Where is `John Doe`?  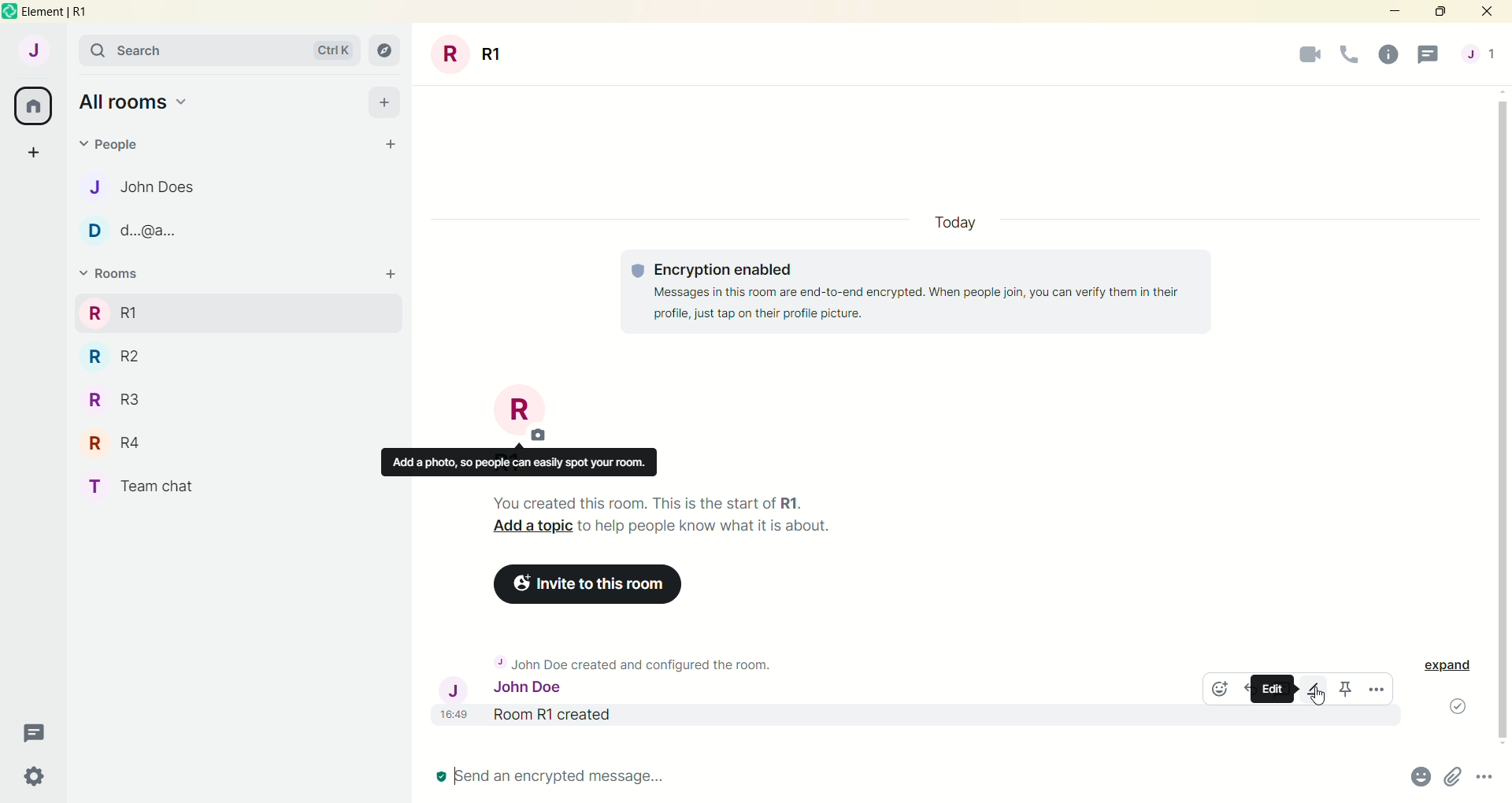
John Doe is located at coordinates (506, 689).